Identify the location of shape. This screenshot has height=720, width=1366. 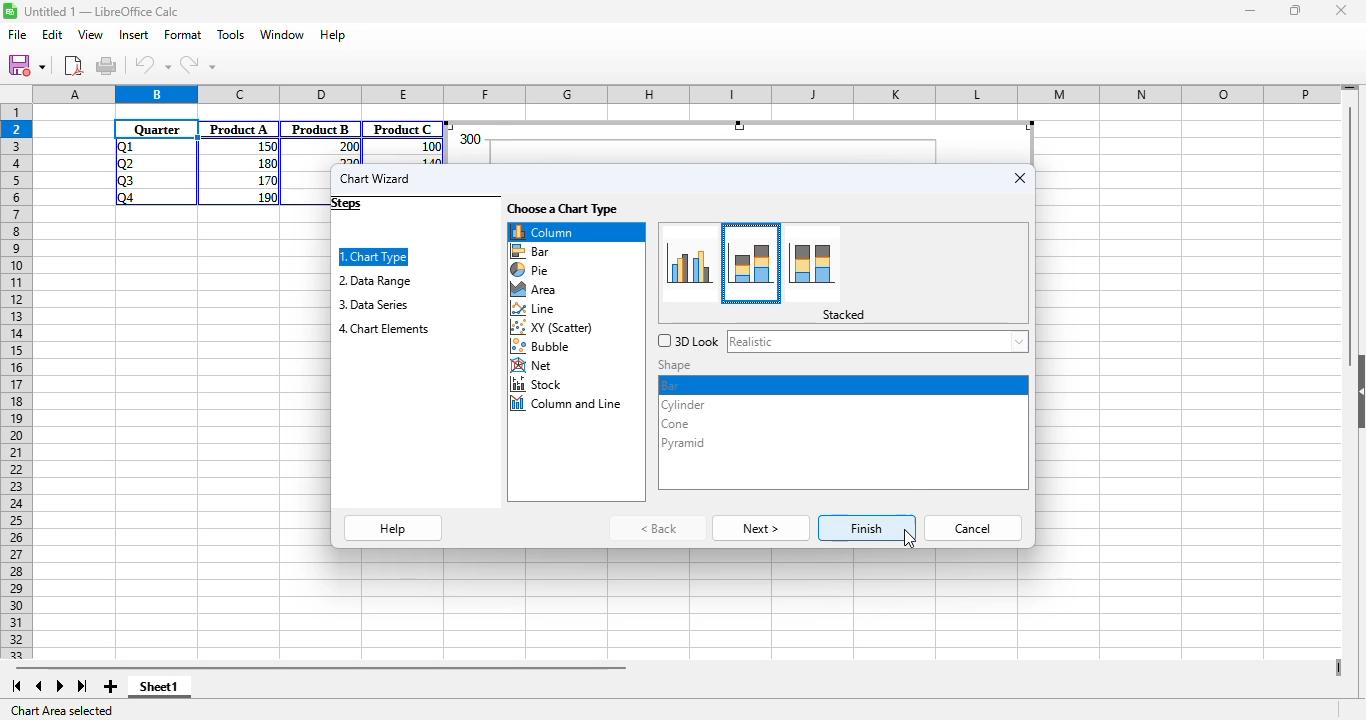
(677, 365).